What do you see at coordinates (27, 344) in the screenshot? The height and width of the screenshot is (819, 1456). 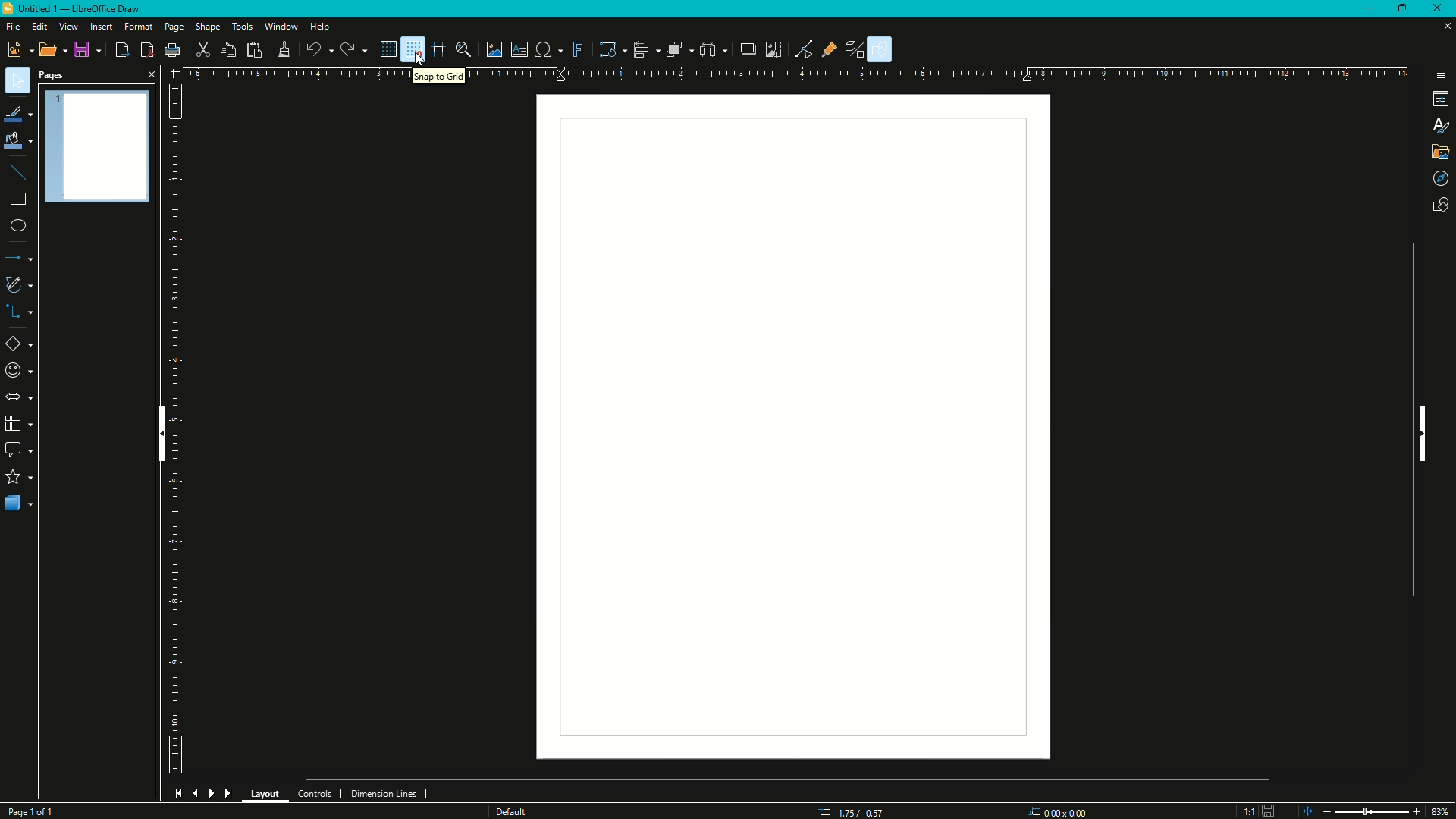 I see `Basic Shapes` at bounding box center [27, 344].